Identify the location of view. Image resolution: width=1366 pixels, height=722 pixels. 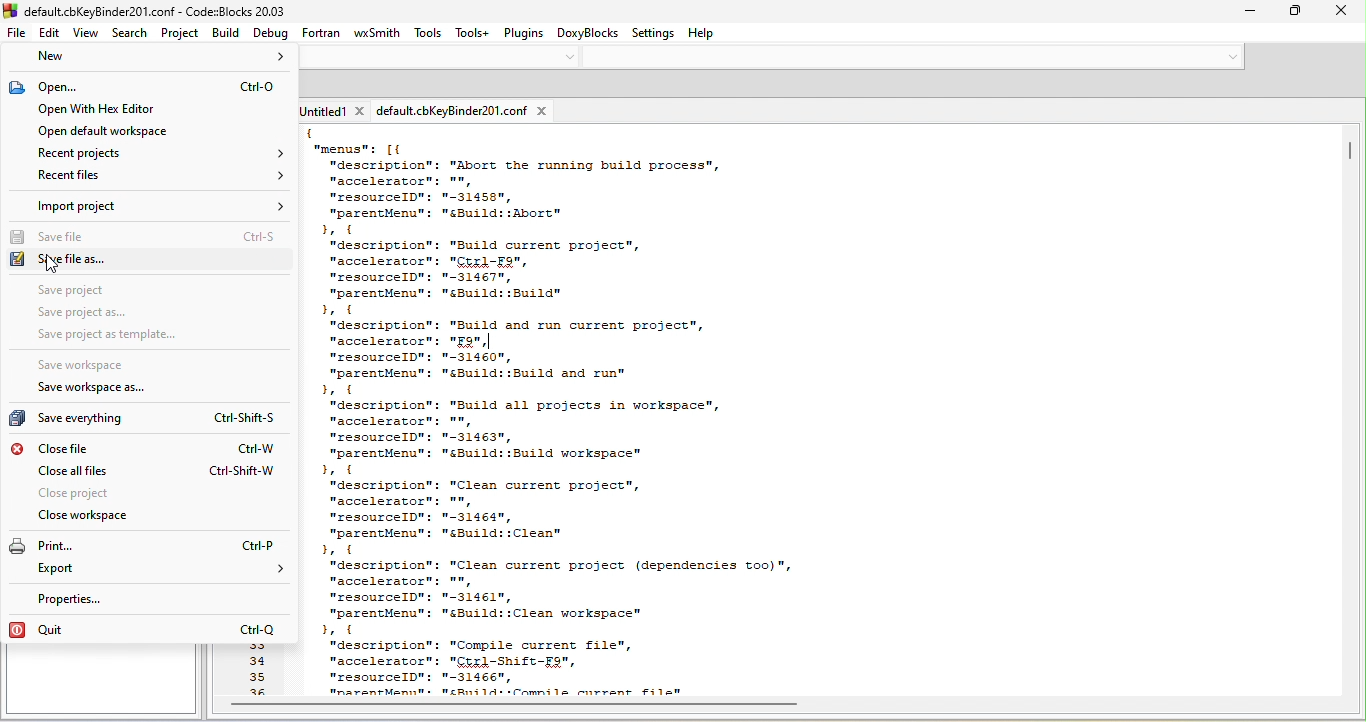
(89, 35).